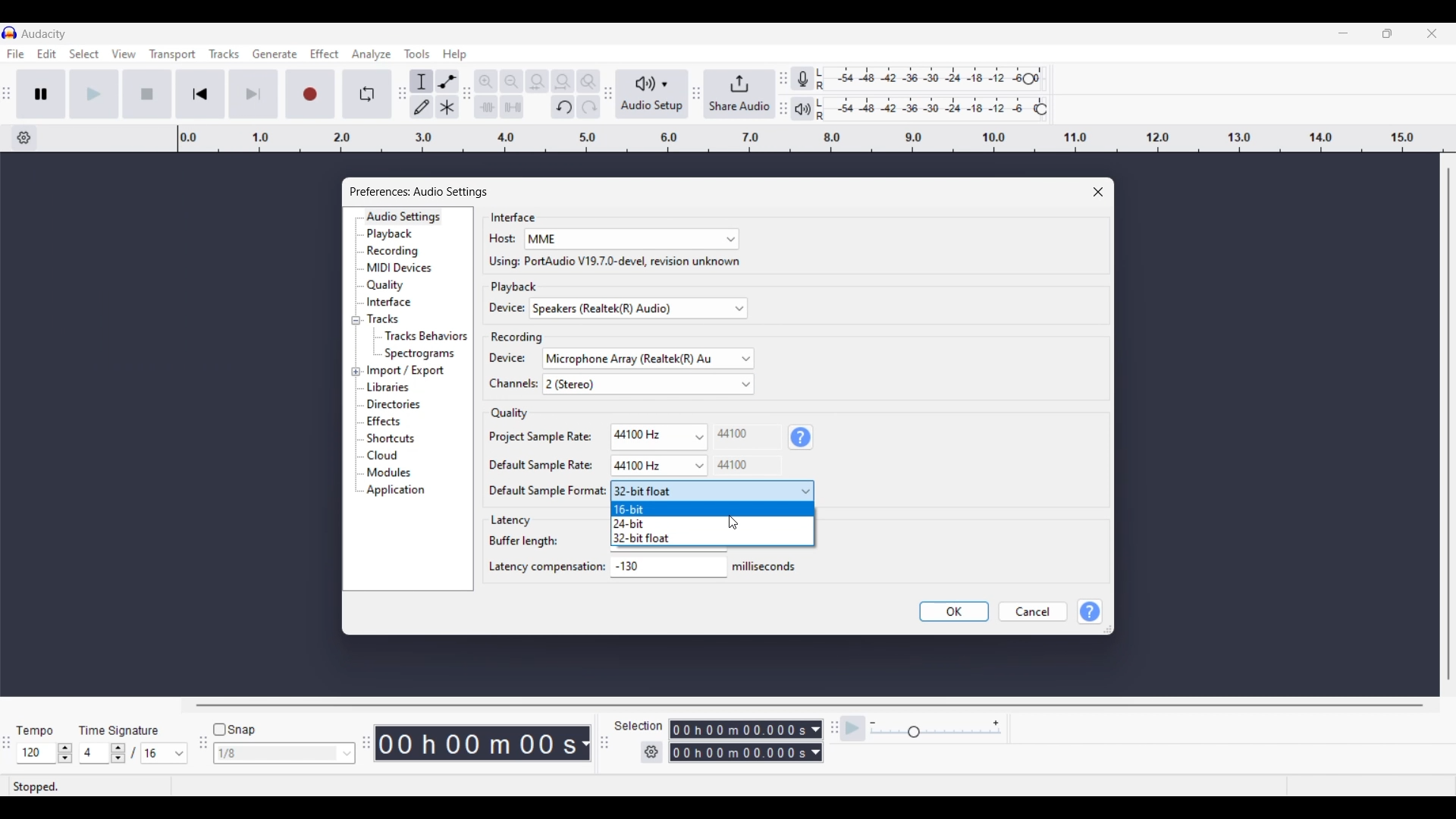  What do you see at coordinates (505, 386) in the screenshot?
I see `| Channels:` at bounding box center [505, 386].